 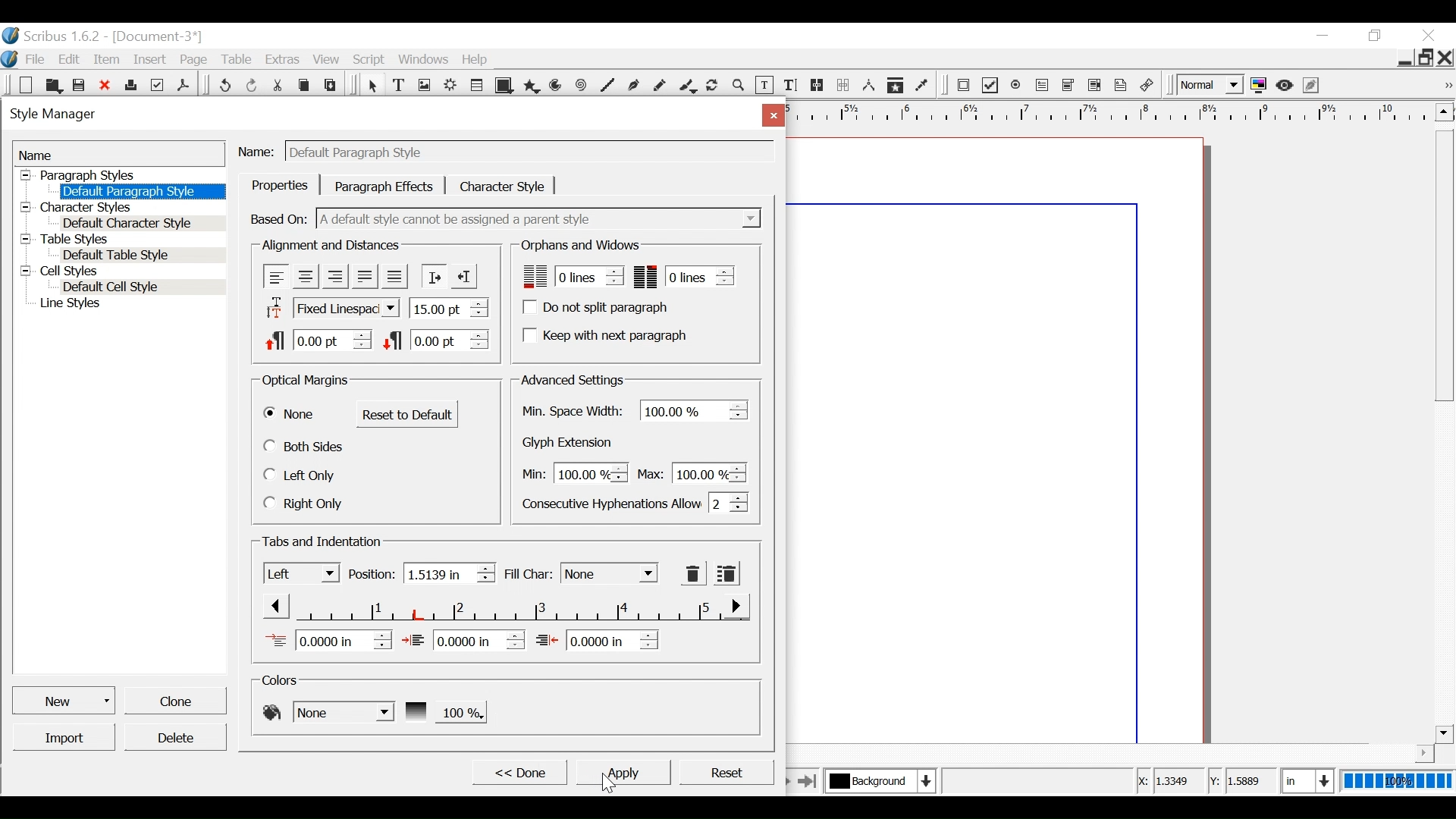 What do you see at coordinates (384, 185) in the screenshot?
I see `Paragraph effects` at bounding box center [384, 185].